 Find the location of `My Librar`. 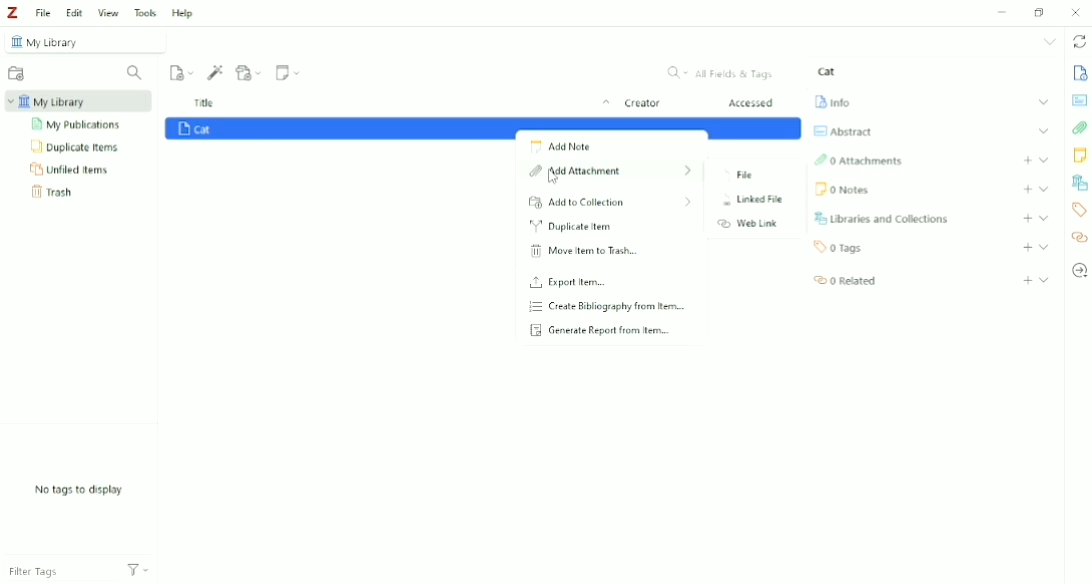

My Librar is located at coordinates (79, 101).